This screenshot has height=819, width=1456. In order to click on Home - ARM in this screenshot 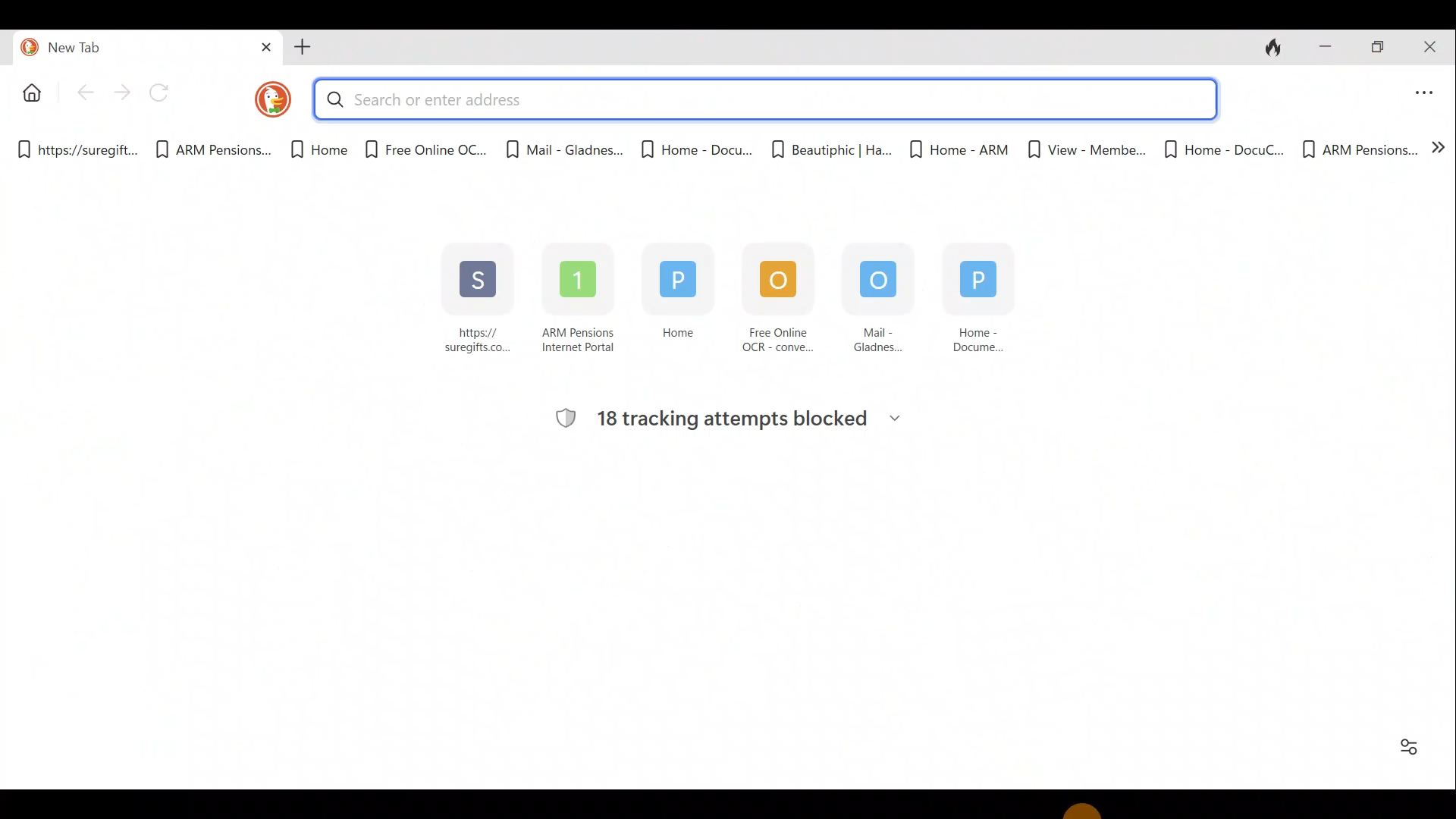, I will do `click(950, 144)`.